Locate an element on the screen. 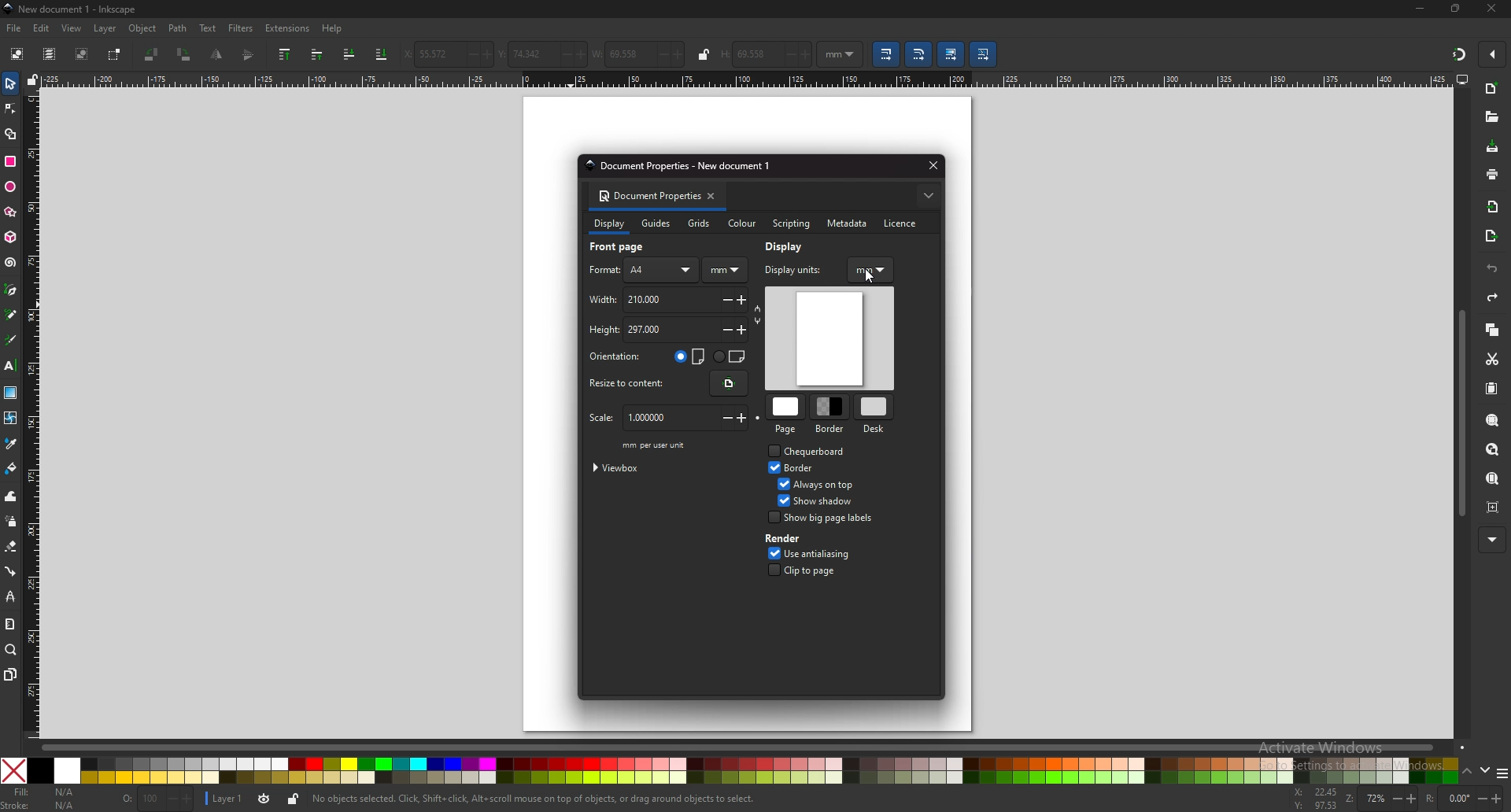 The height and width of the screenshot is (812, 1511). chequeboard is located at coordinates (819, 451).